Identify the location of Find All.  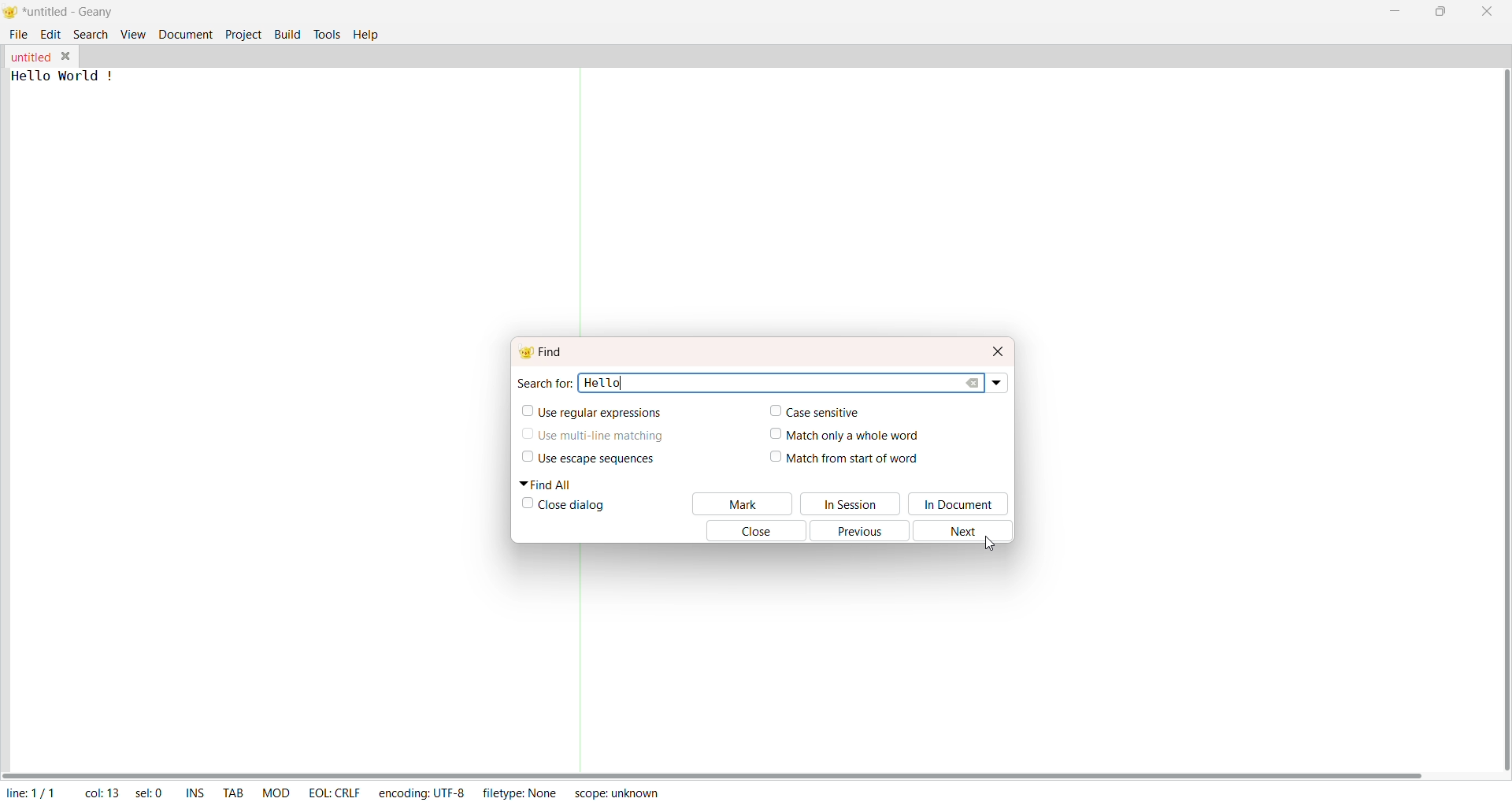
(551, 485).